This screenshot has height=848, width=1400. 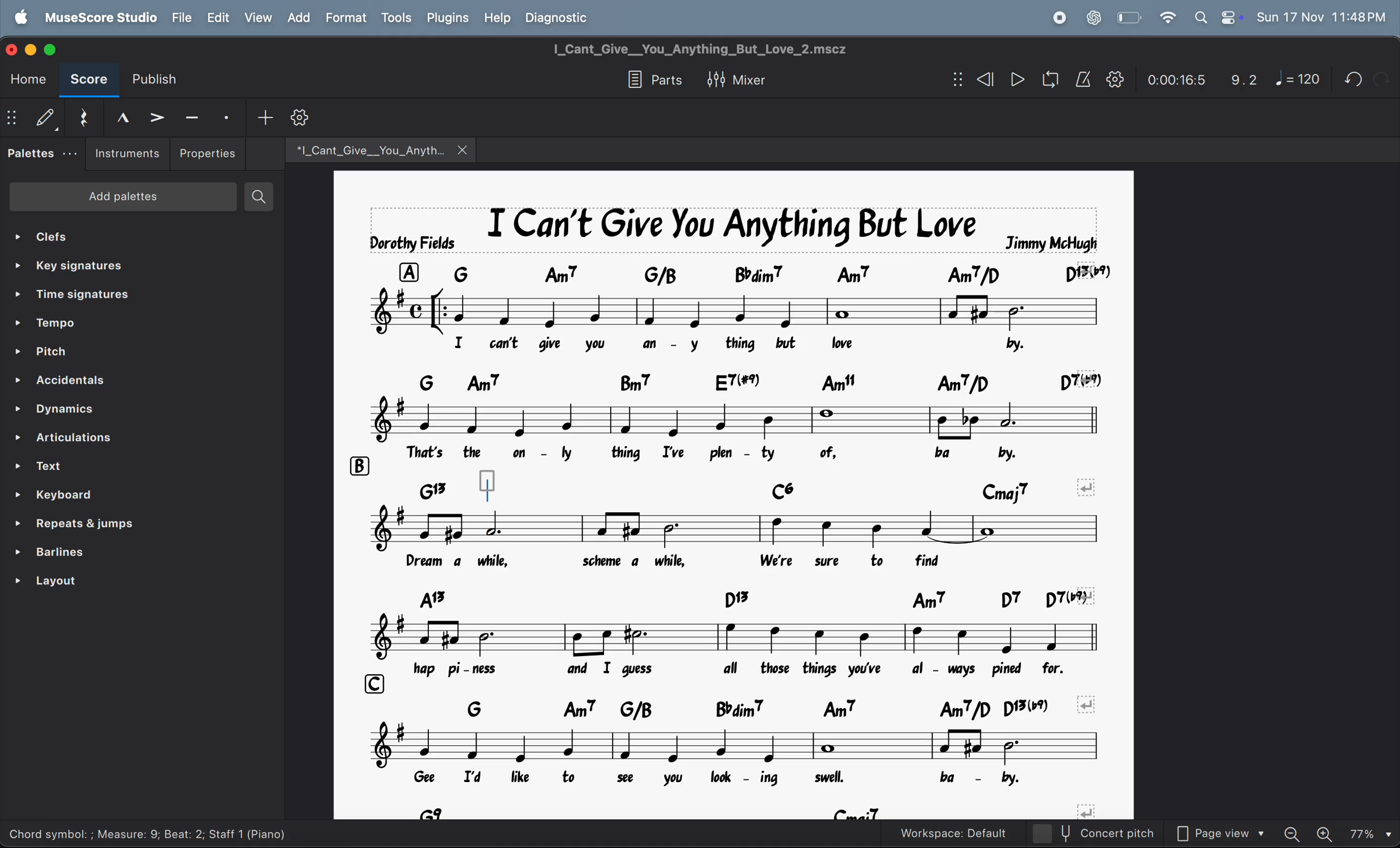 What do you see at coordinates (1168, 18) in the screenshot?
I see `wifi` at bounding box center [1168, 18].